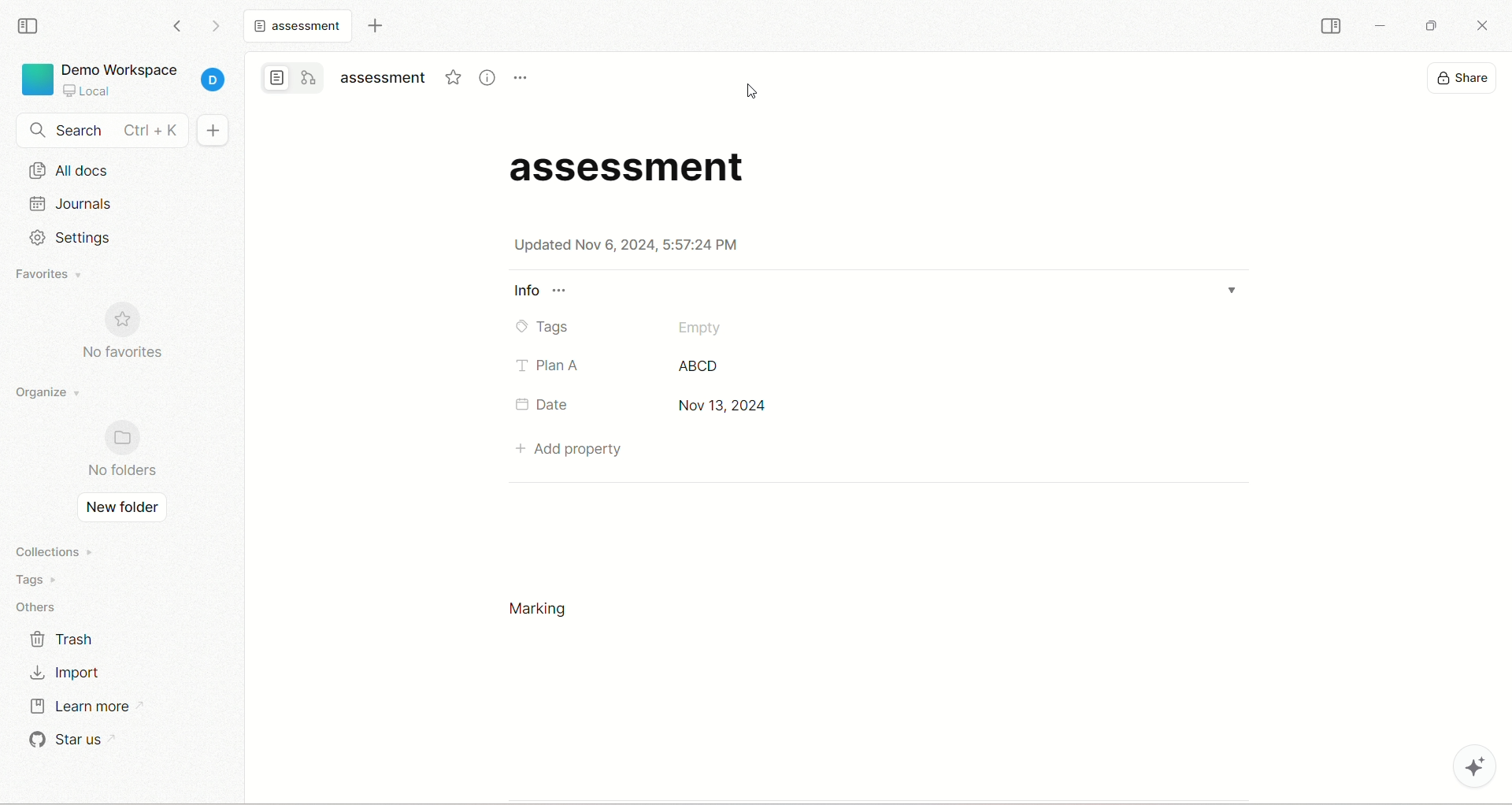 This screenshot has width=1512, height=805. What do you see at coordinates (453, 76) in the screenshot?
I see `favorites` at bounding box center [453, 76].